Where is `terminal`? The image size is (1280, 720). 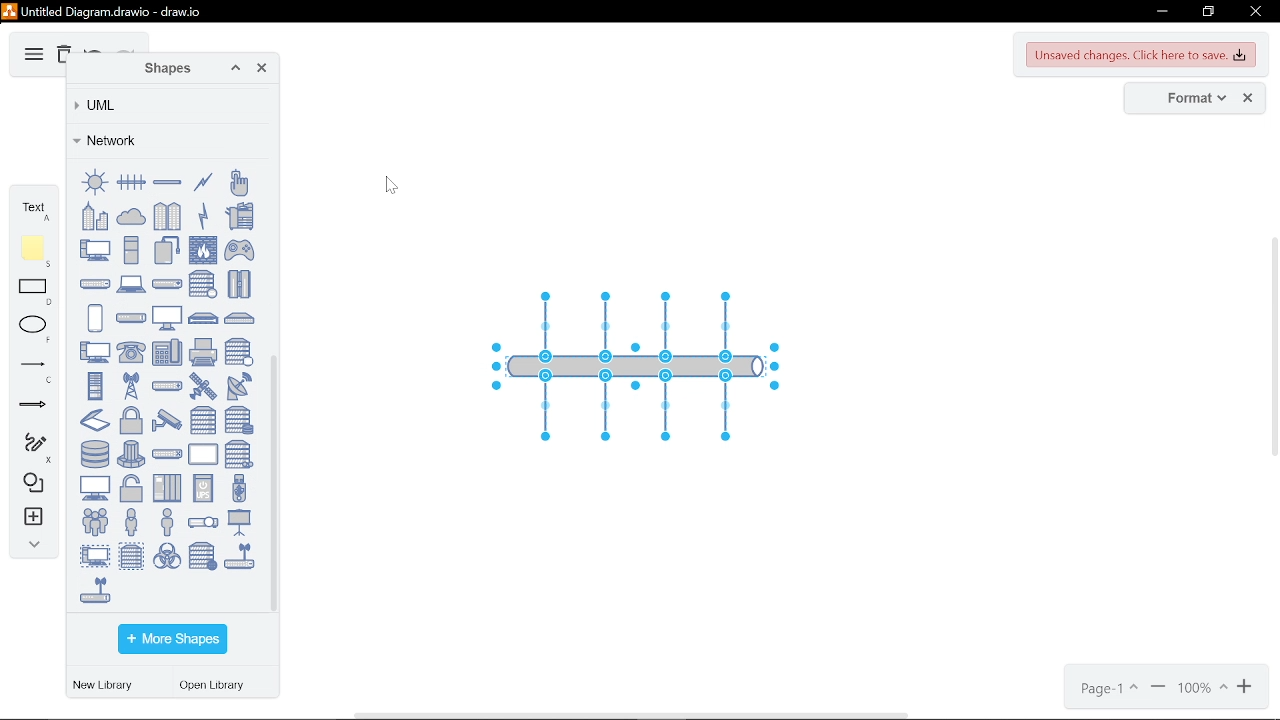 terminal is located at coordinates (95, 488).